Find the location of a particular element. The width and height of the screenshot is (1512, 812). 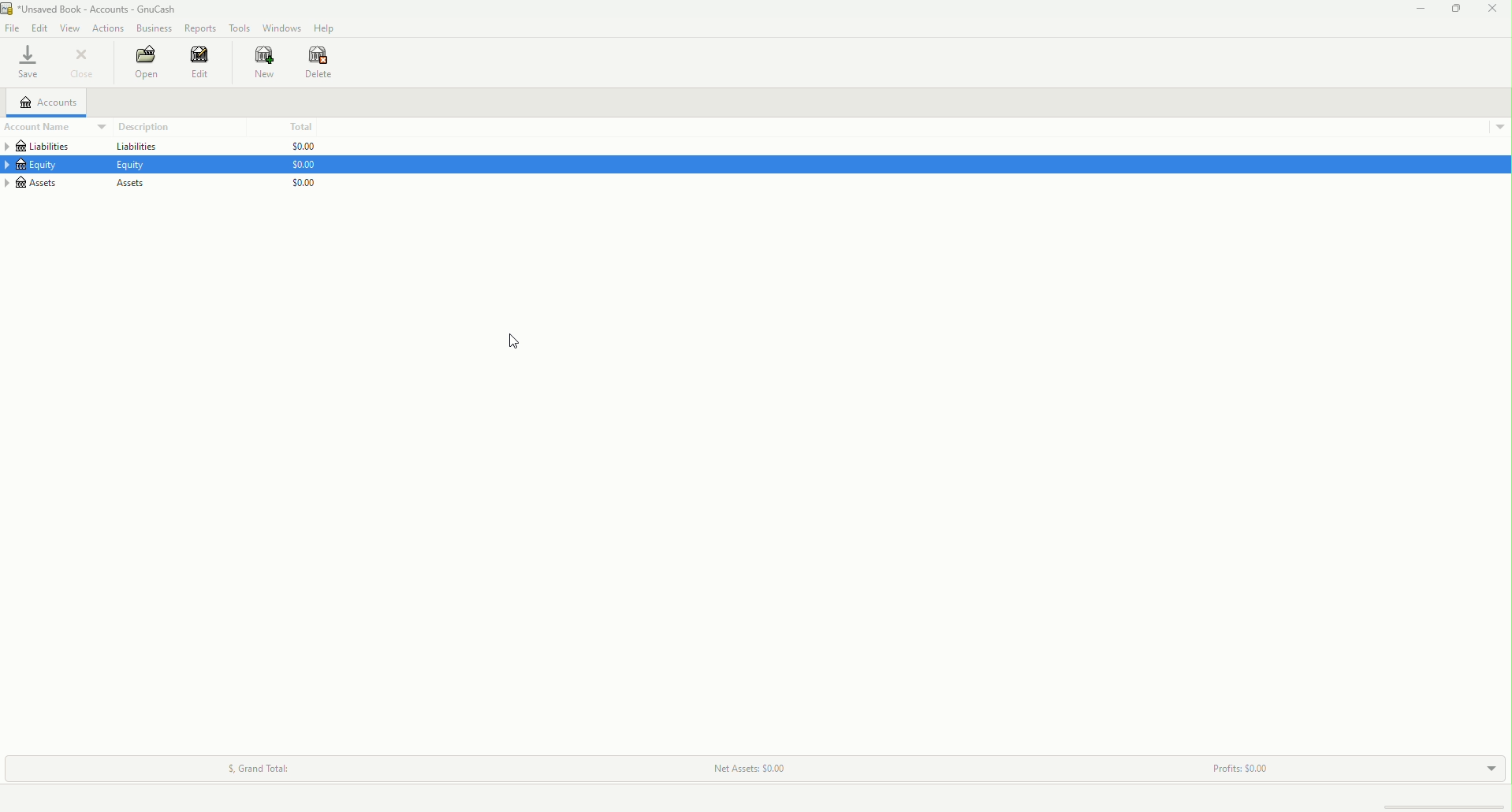

Help is located at coordinates (322, 28).